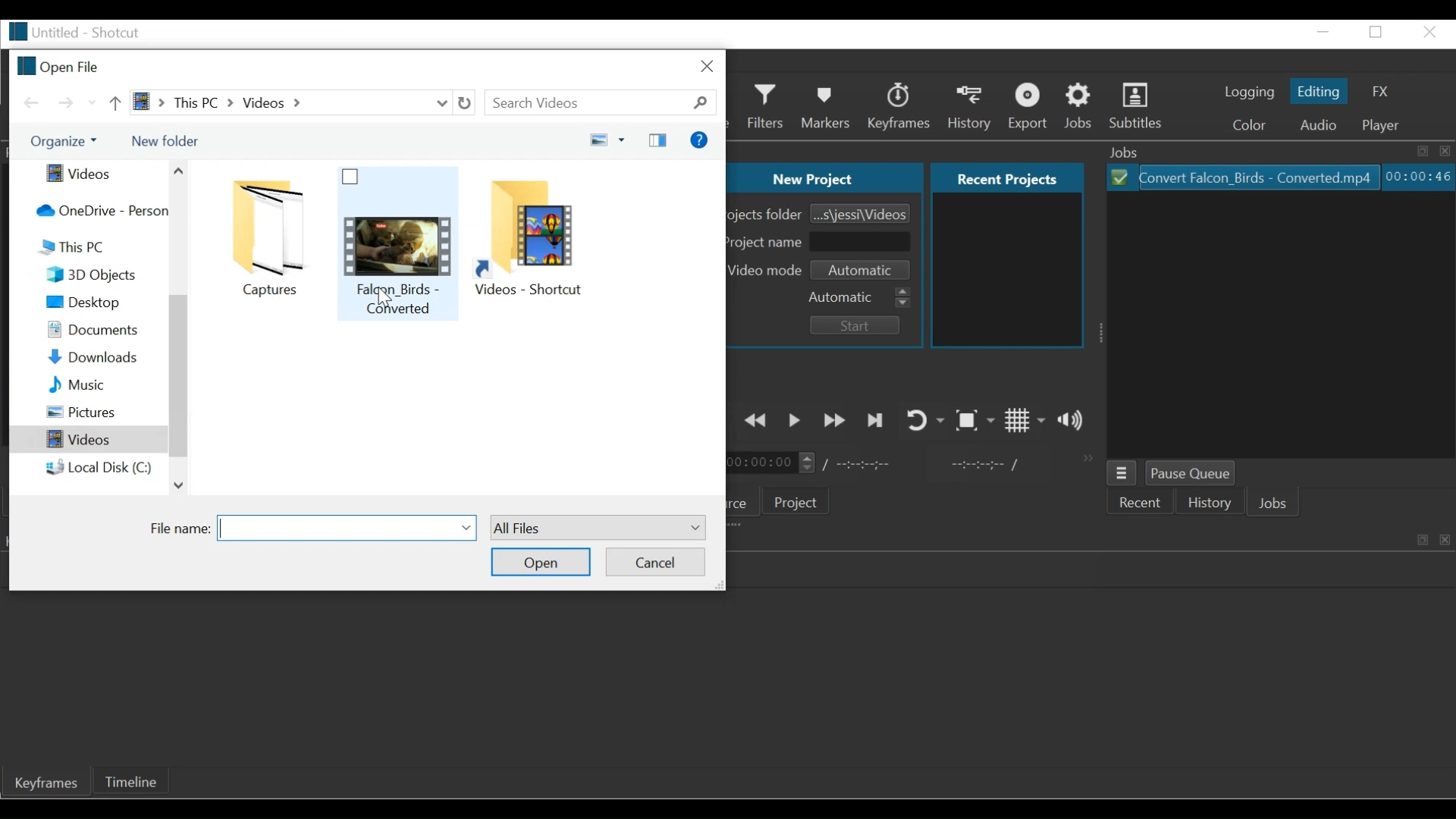 This screenshot has height=819, width=1456. What do you see at coordinates (859, 327) in the screenshot?
I see `Start` at bounding box center [859, 327].